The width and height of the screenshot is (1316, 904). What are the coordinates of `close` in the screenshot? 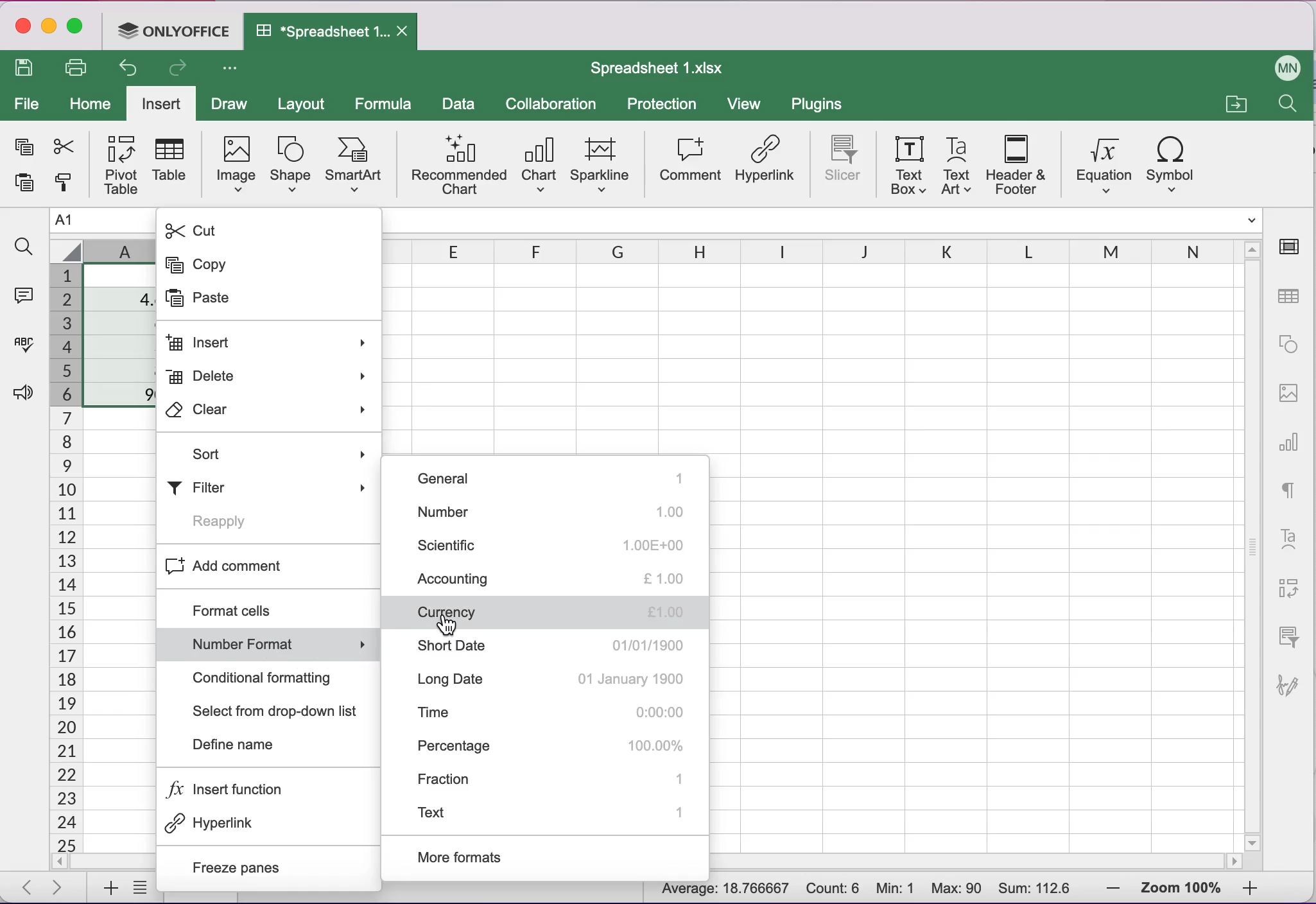 It's located at (22, 31).